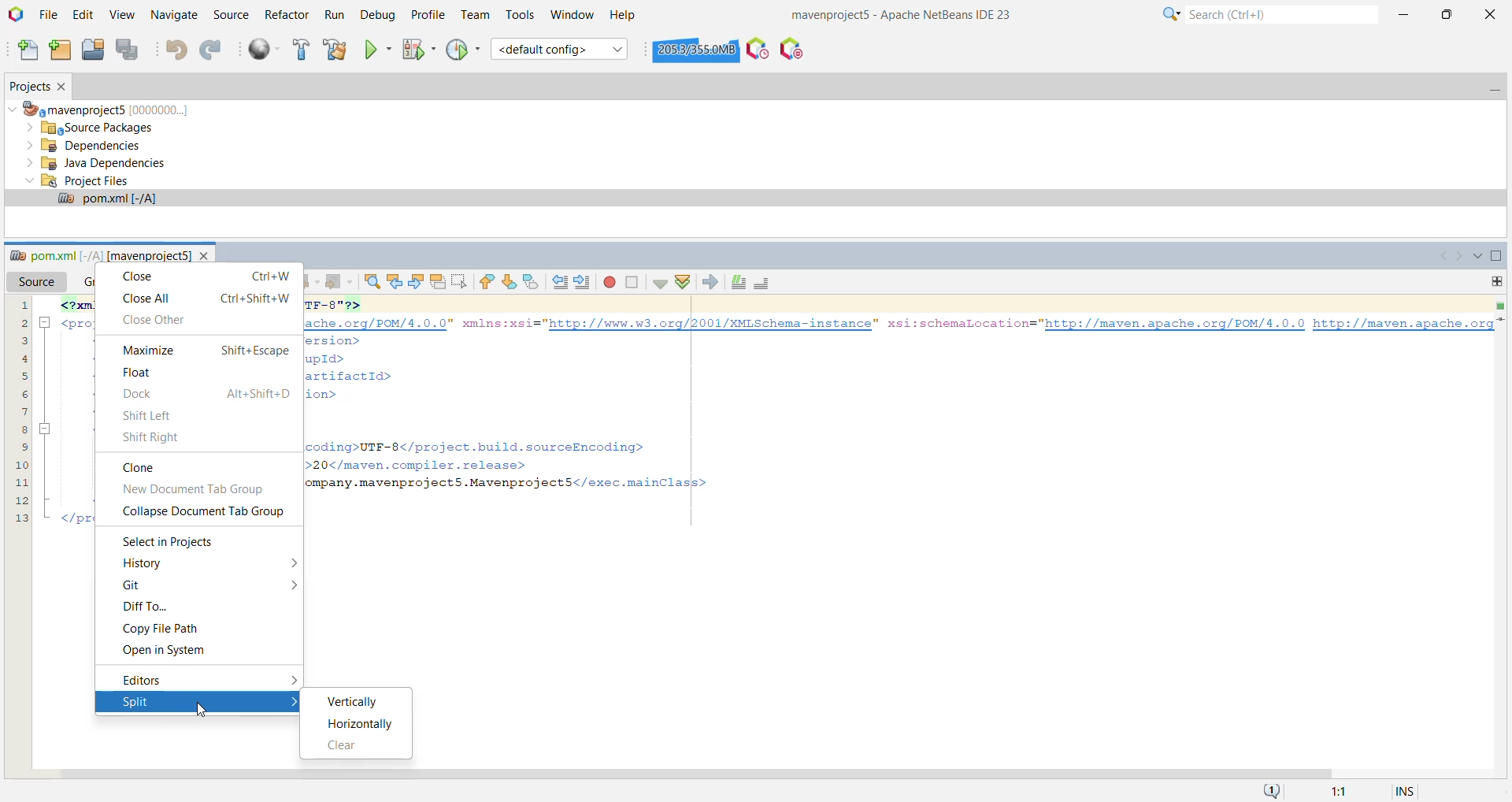  Describe the element at coordinates (93, 50) in the screenshot. I see `Open Project` at that location.